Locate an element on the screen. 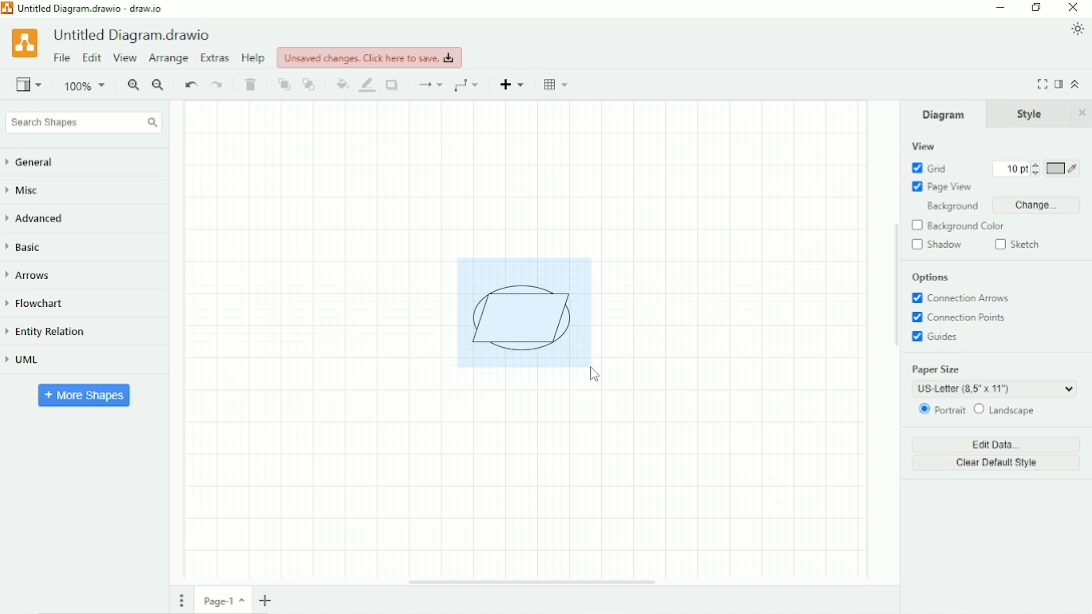 Image resolution: width=1092 pixels, height=614 pixels. Horizontal scrollbar is located at coordinates (532, 582).